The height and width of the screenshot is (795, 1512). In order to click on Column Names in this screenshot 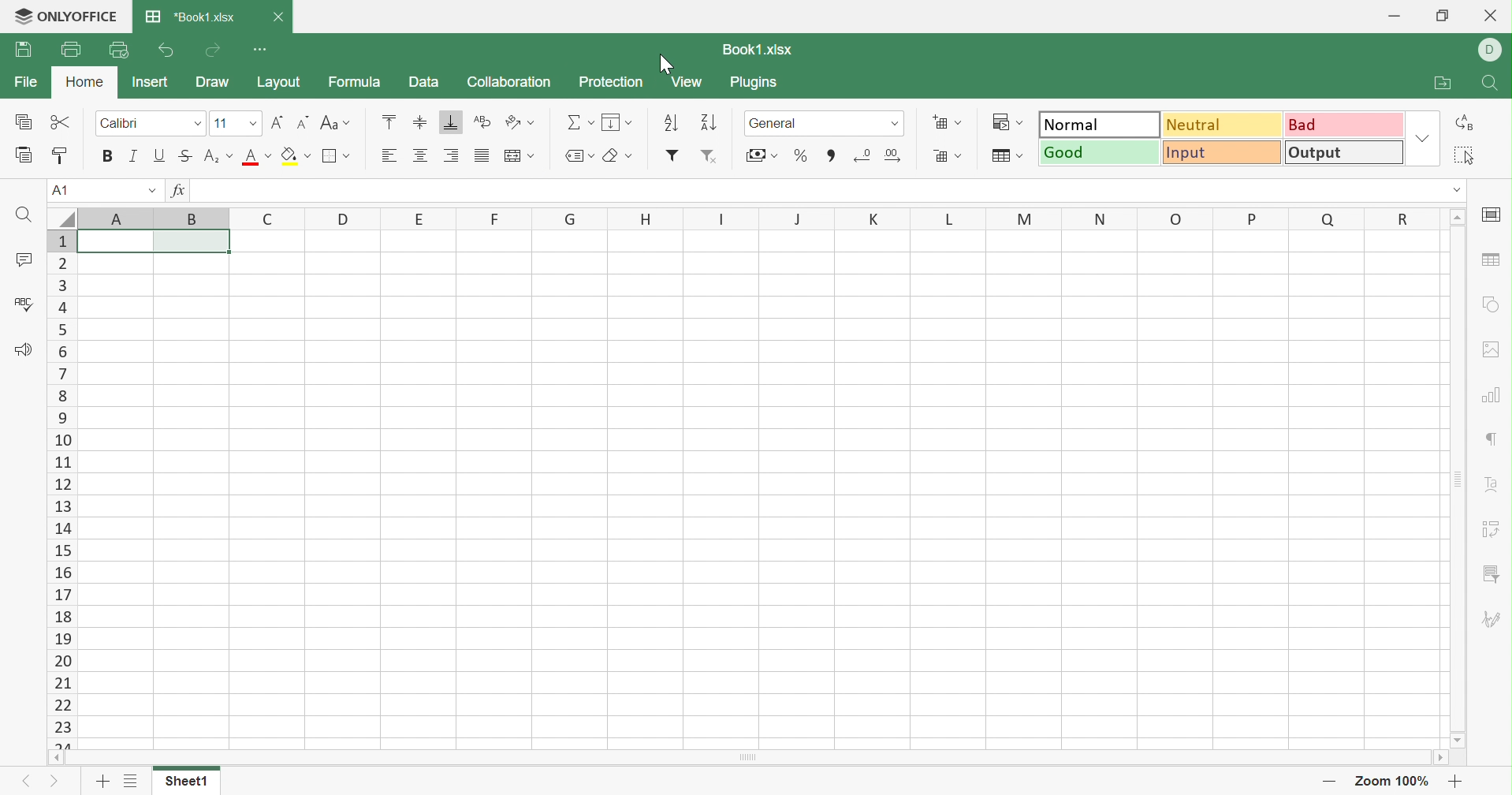, I will do `click(743, 216)`.